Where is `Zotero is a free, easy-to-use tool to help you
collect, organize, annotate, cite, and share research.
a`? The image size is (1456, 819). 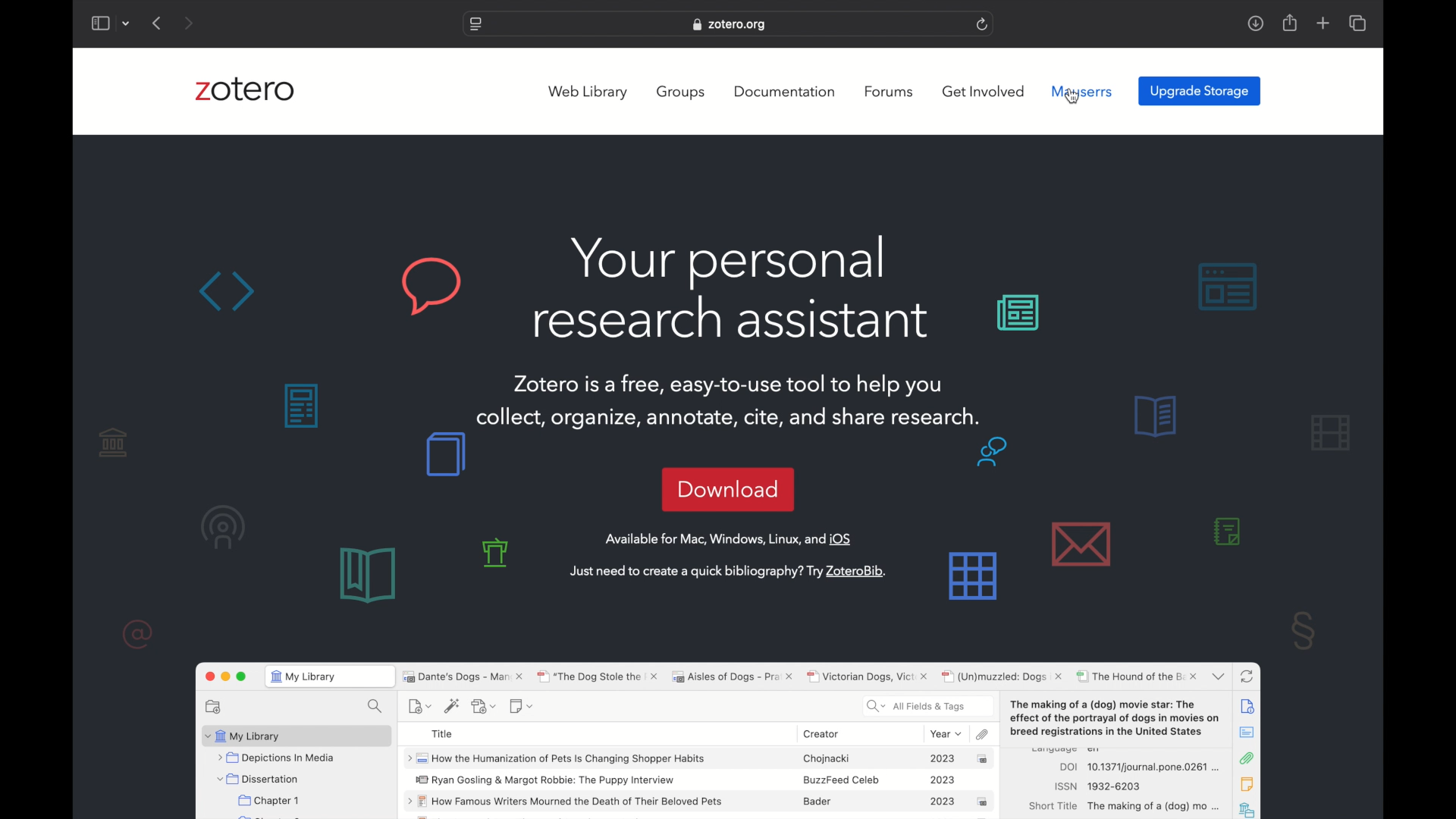
Zotero is a free, easy-to-use tool to help you
collect, organize, annotate, cite, and share research.
a is located at coordinates (745, 400).